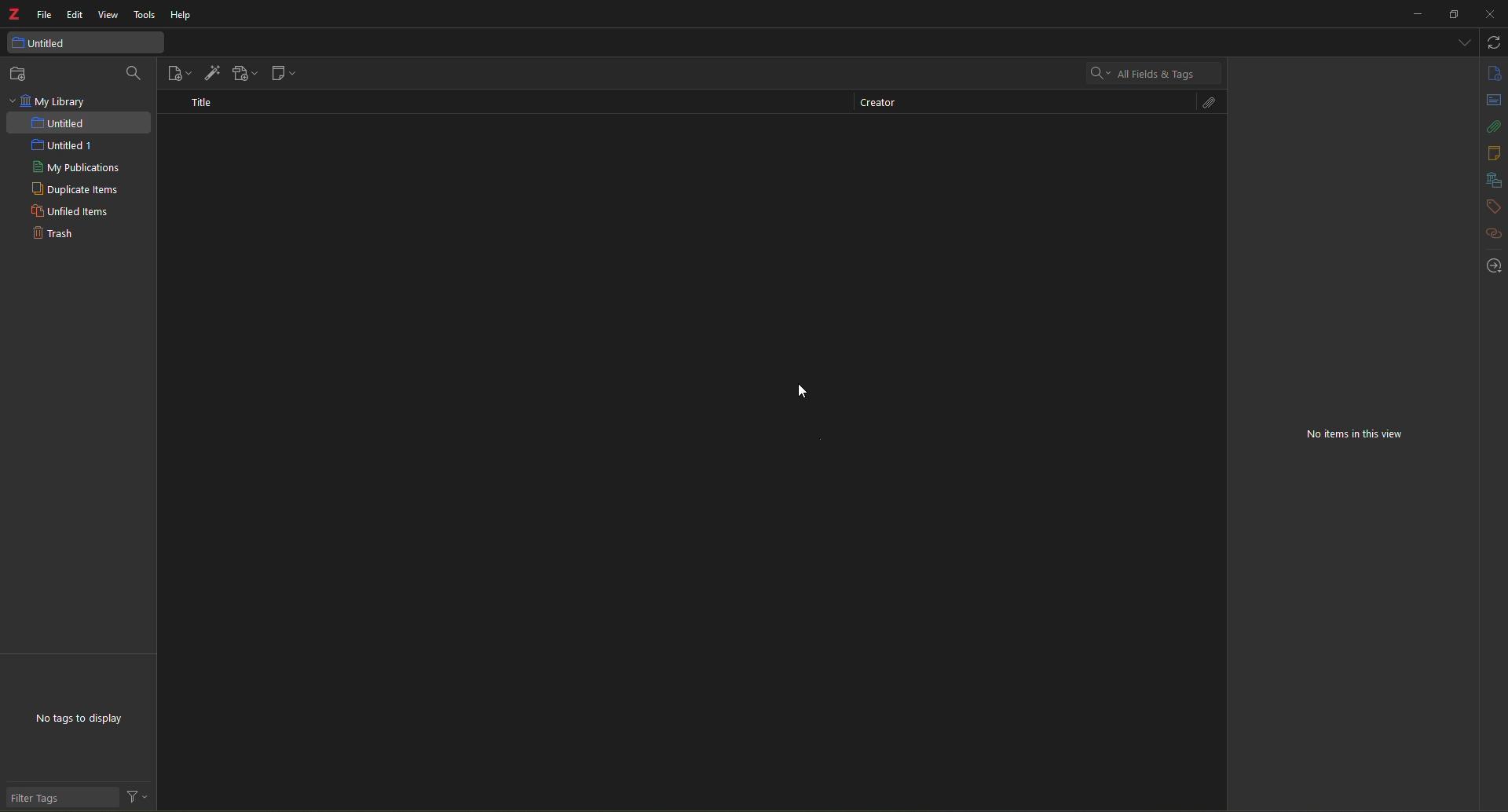 The width and height of the screenshot is (1508, 812). What do you see at coordinates (68, 212) in the screenshot?
I see `unfiled items` at bounding box center [68, 212].